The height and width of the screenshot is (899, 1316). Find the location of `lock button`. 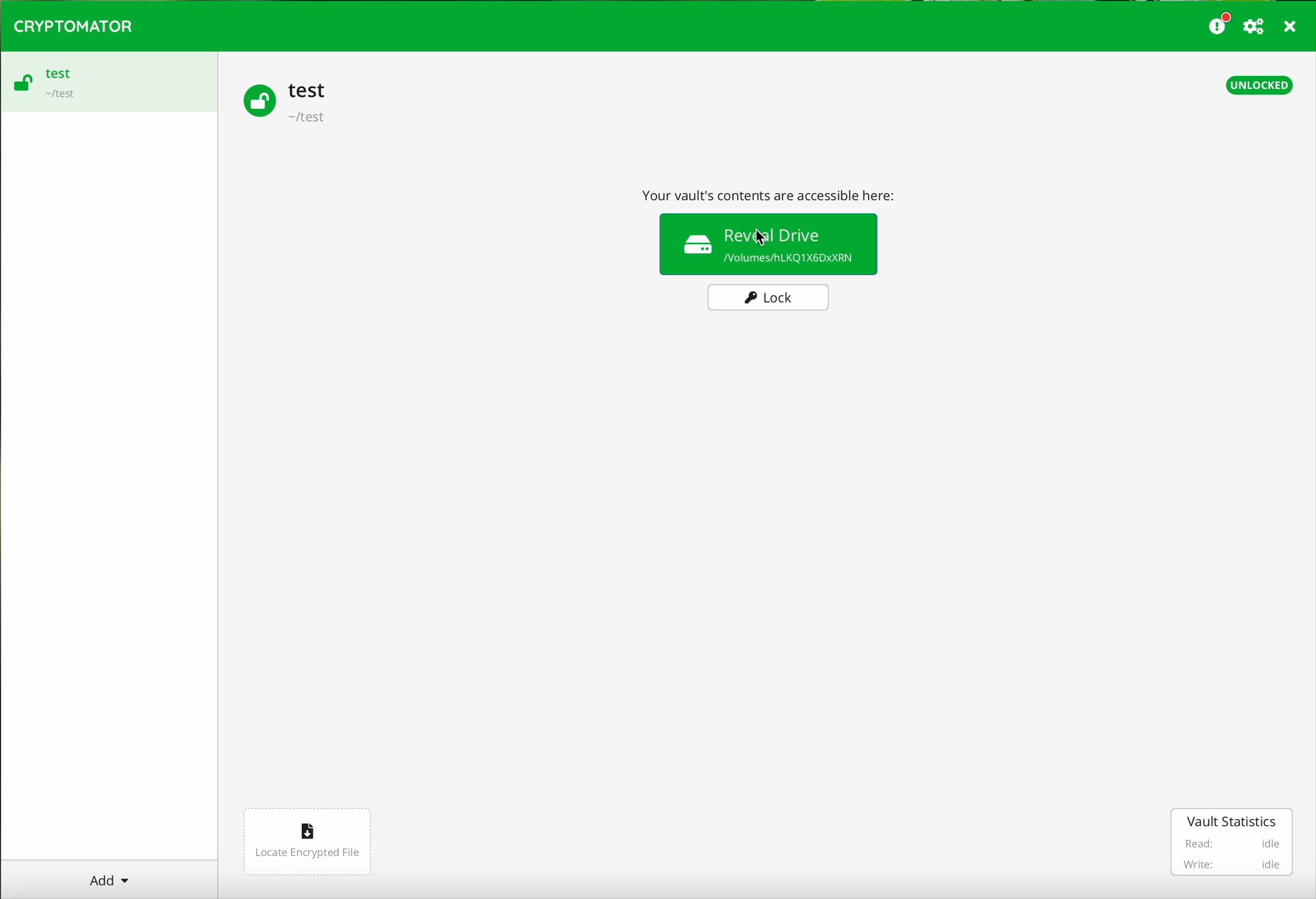

lock button is located at coordinates (770, 298).